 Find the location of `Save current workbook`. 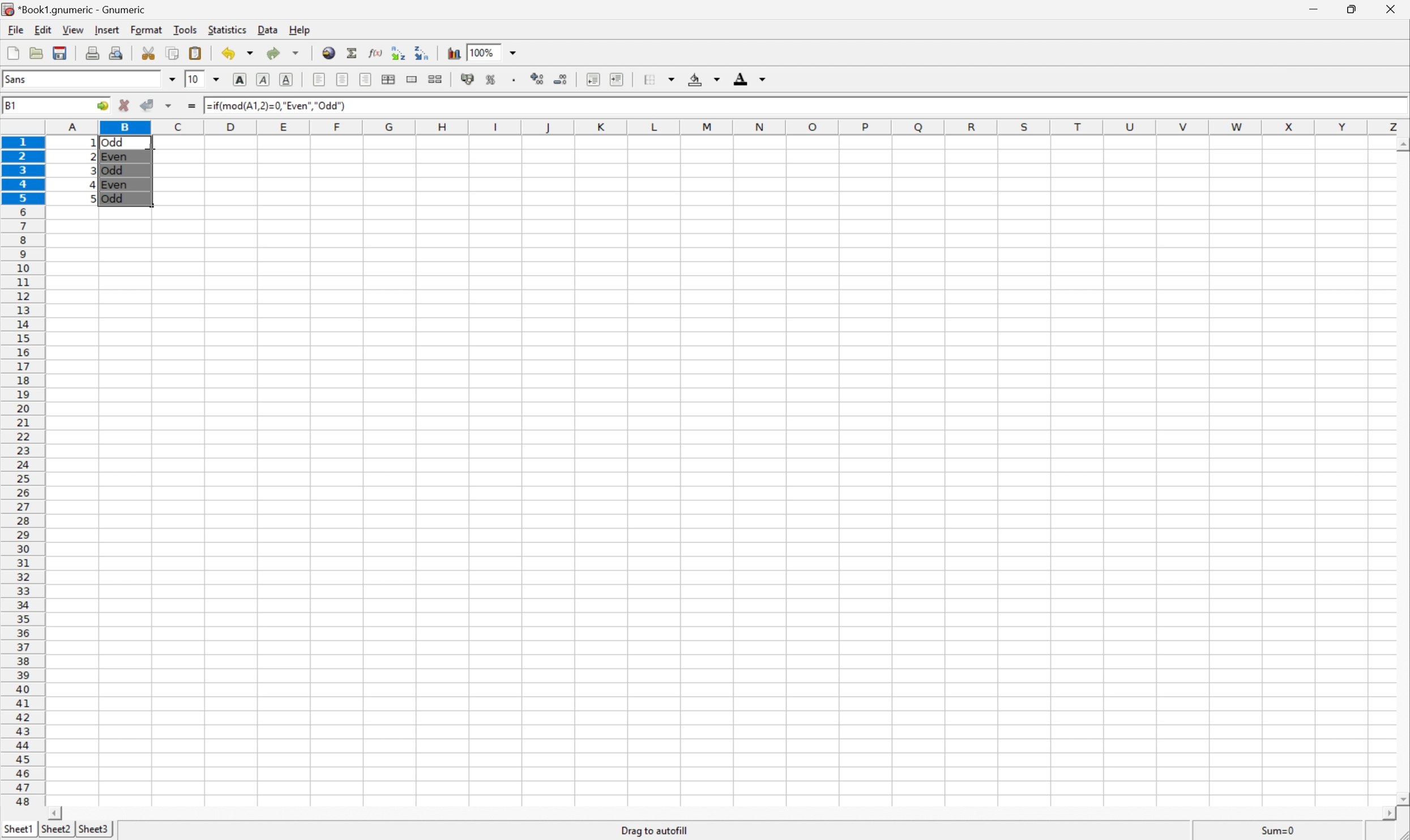

Save current workbook is located at coordinates (59, 52).